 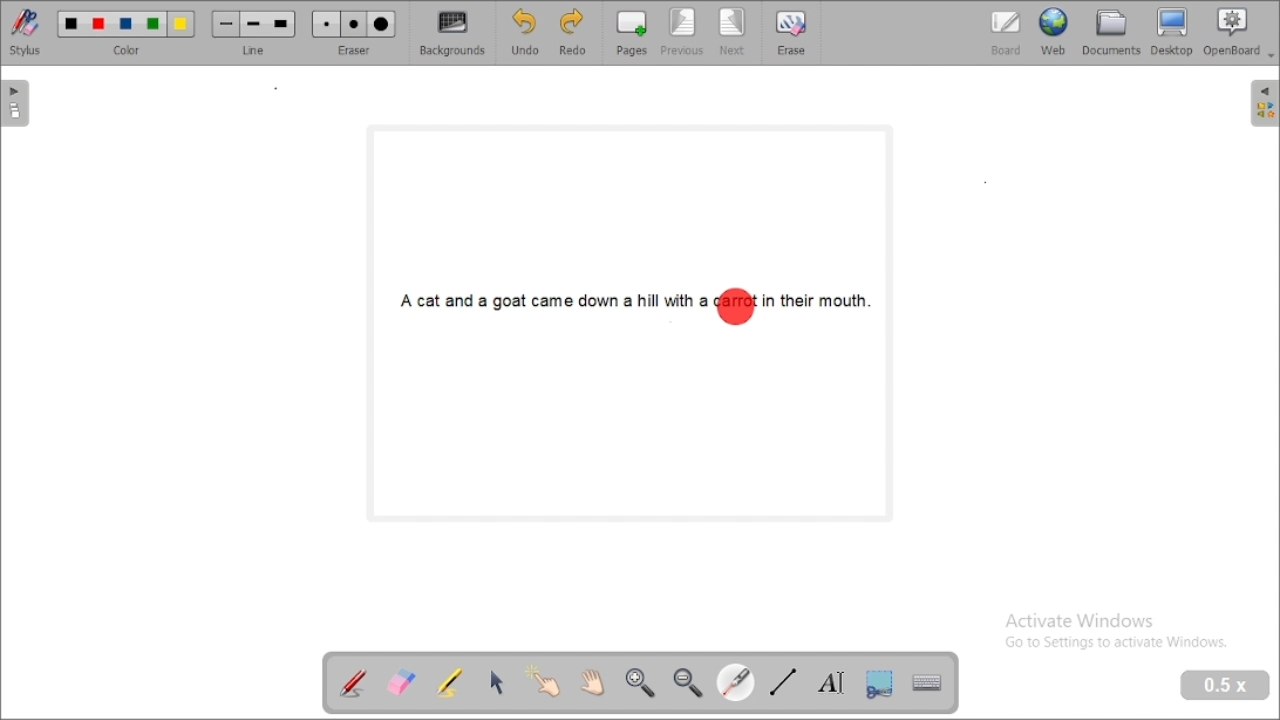 I want to click on color, so click(x=127, y=33).